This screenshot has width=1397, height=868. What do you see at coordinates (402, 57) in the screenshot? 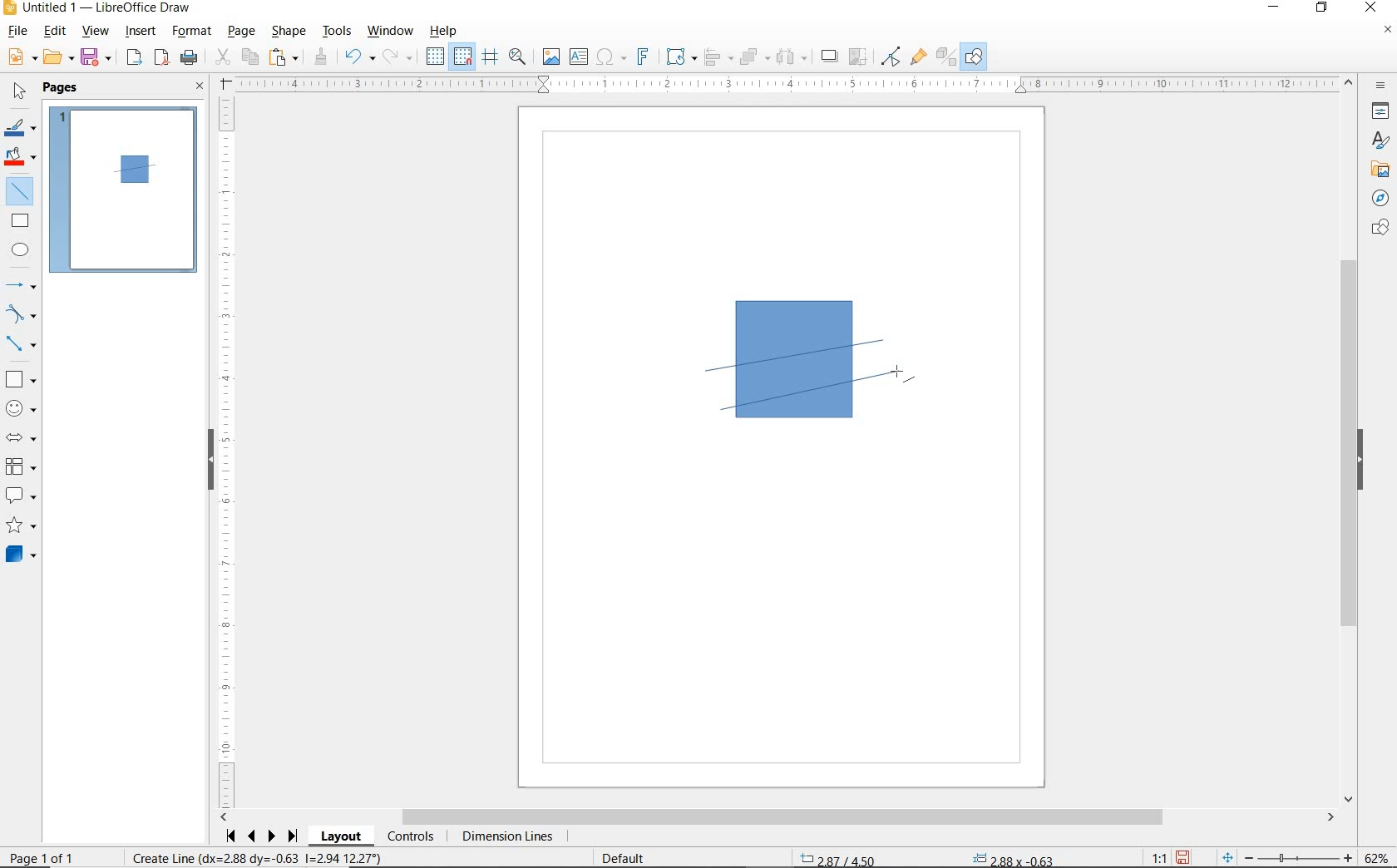
I see `REDO` at bounding box center [402, 57].